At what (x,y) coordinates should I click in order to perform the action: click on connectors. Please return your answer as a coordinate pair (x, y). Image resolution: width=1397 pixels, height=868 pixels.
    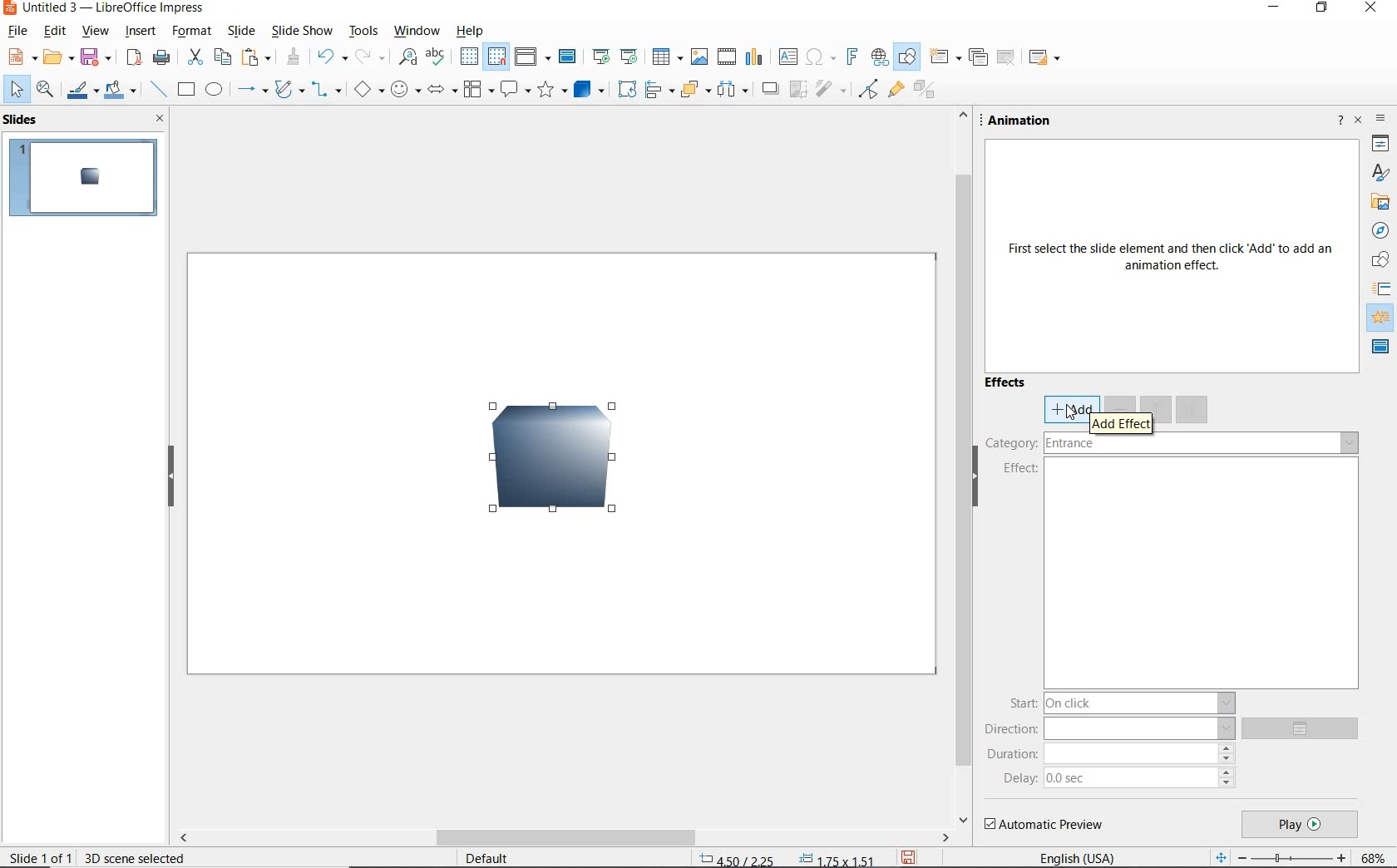
    Looking at the image, I should click on (326, 91).